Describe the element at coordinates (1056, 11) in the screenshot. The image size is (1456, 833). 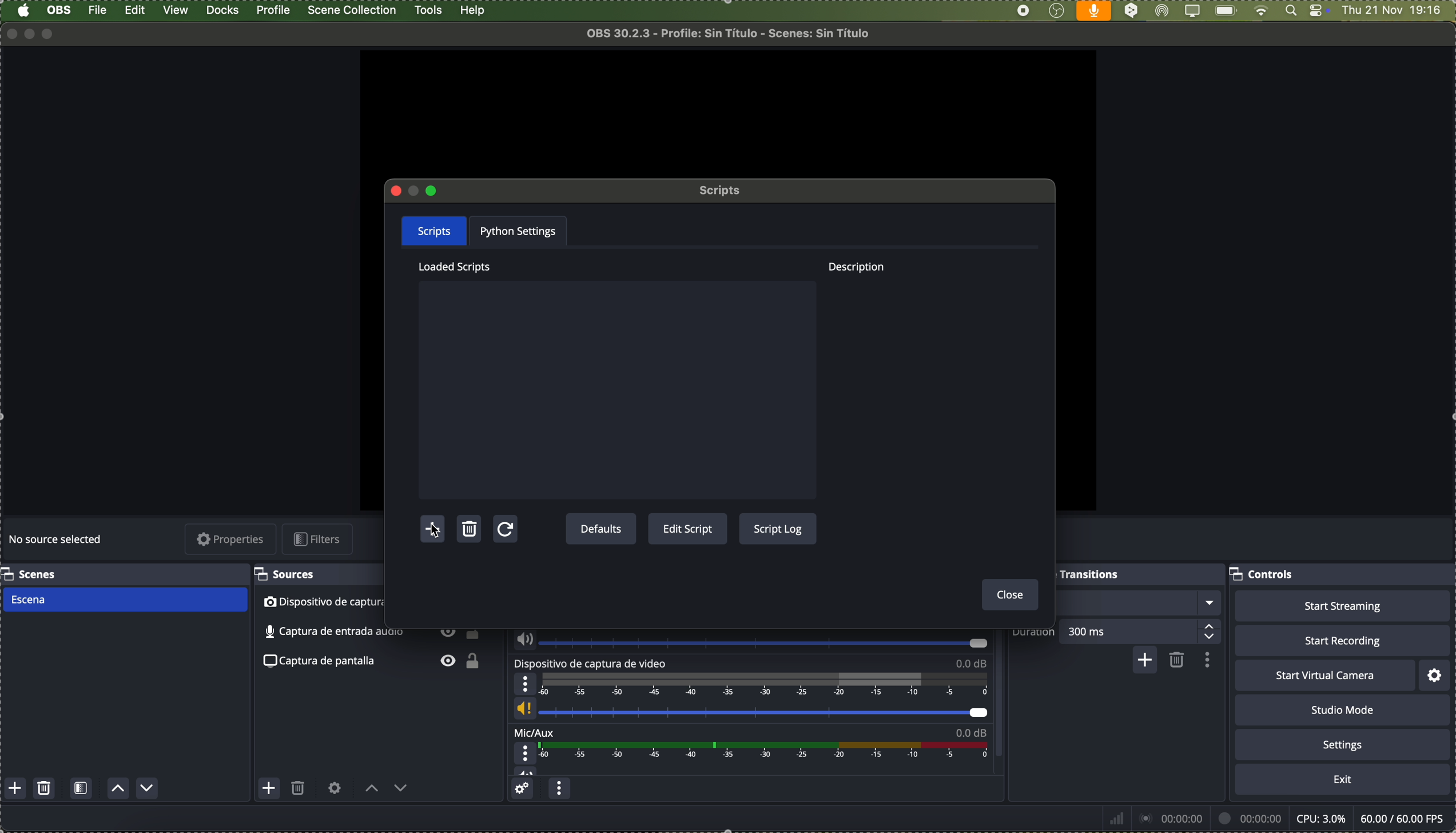
I see `OBS Studio` at that location.